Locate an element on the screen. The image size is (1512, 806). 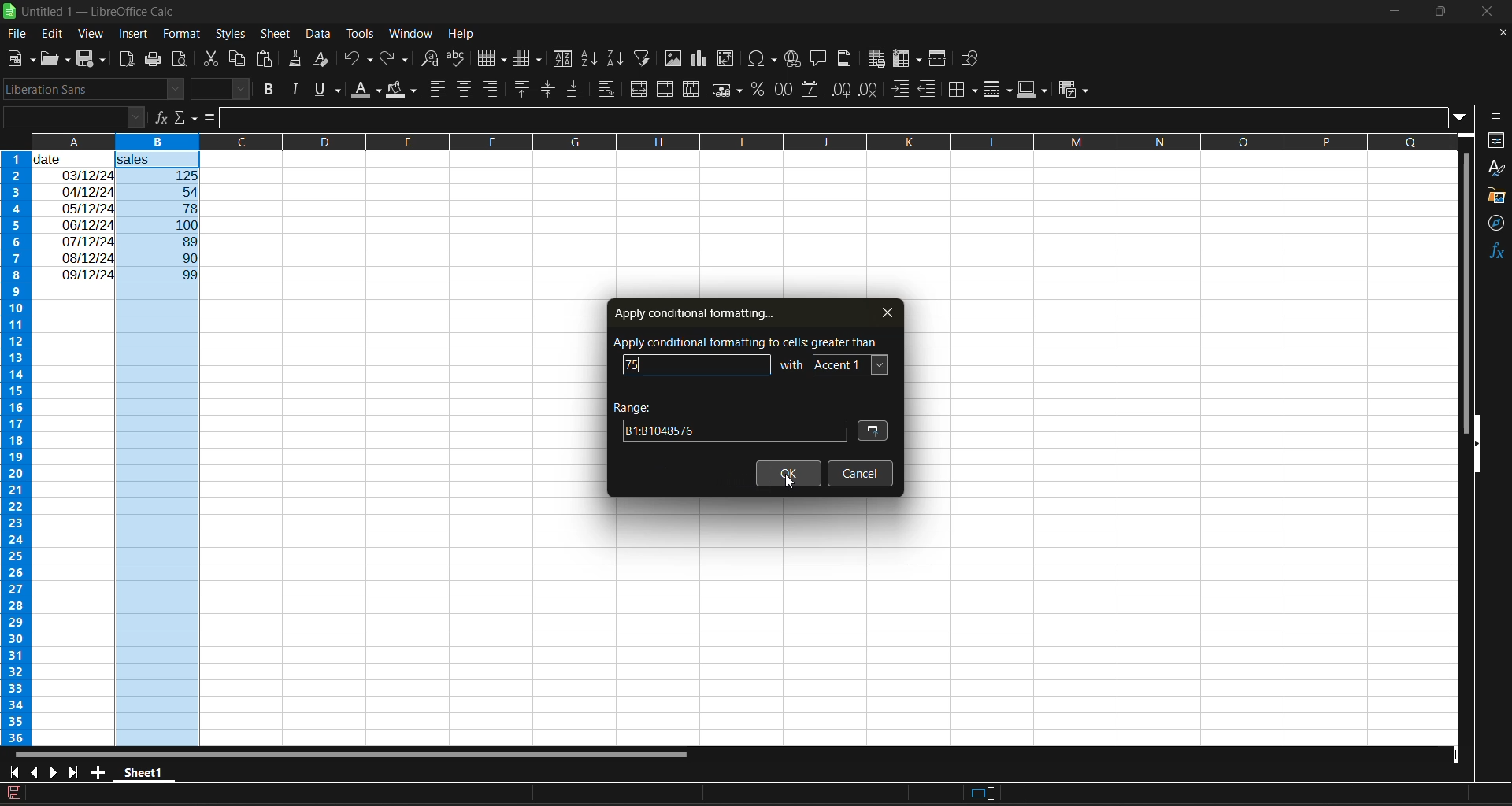
properties is located at coordinates (1496, 140).